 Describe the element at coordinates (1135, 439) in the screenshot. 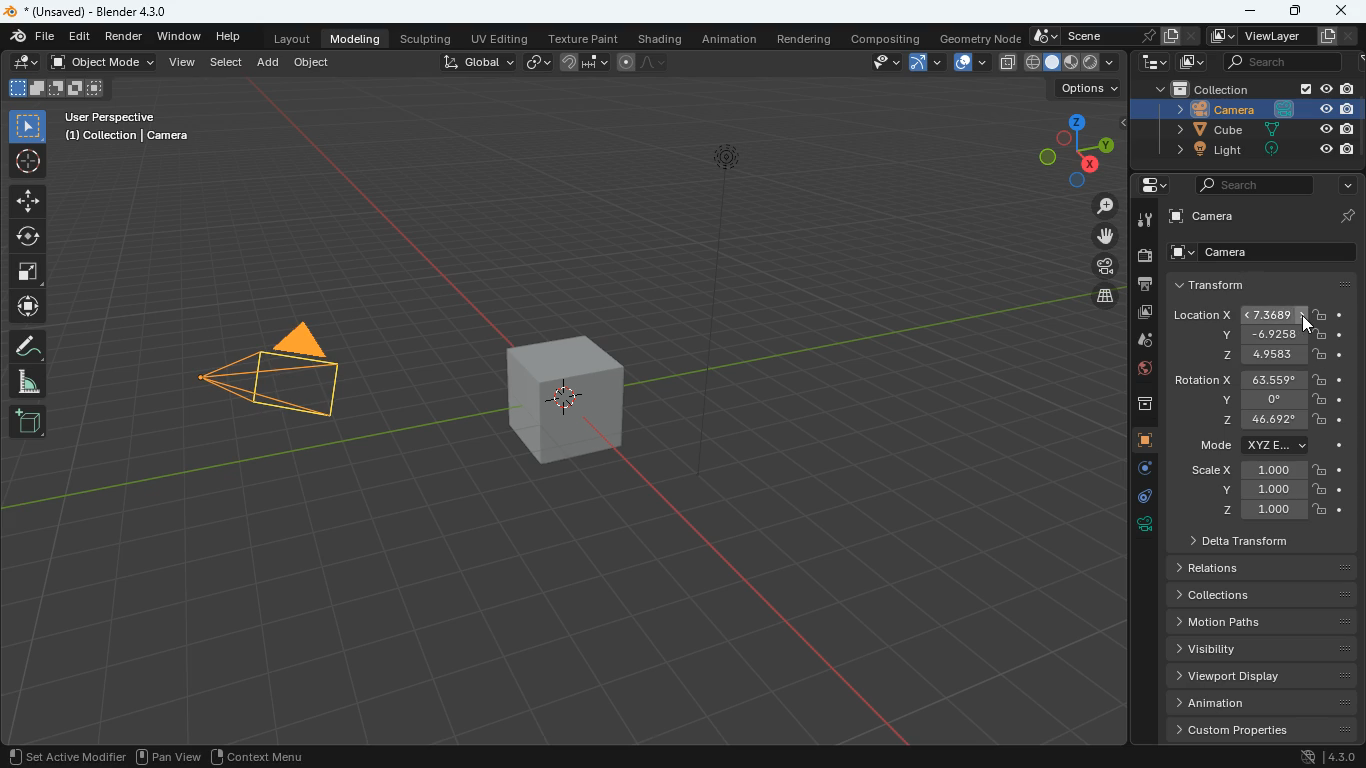

I see `cube` at that location.